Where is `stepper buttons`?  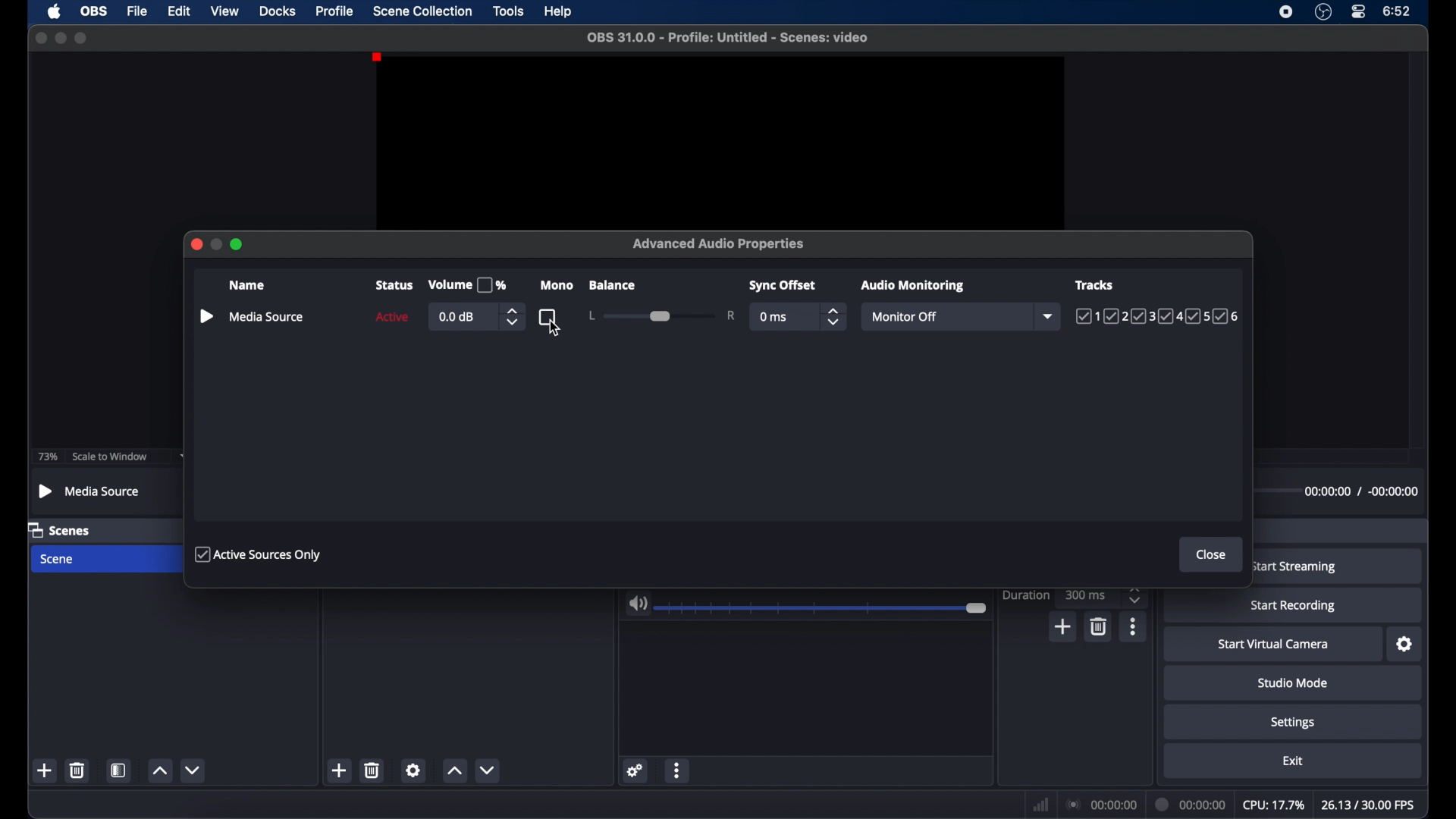
stepper buttons is located at coordinates (1137, 595).